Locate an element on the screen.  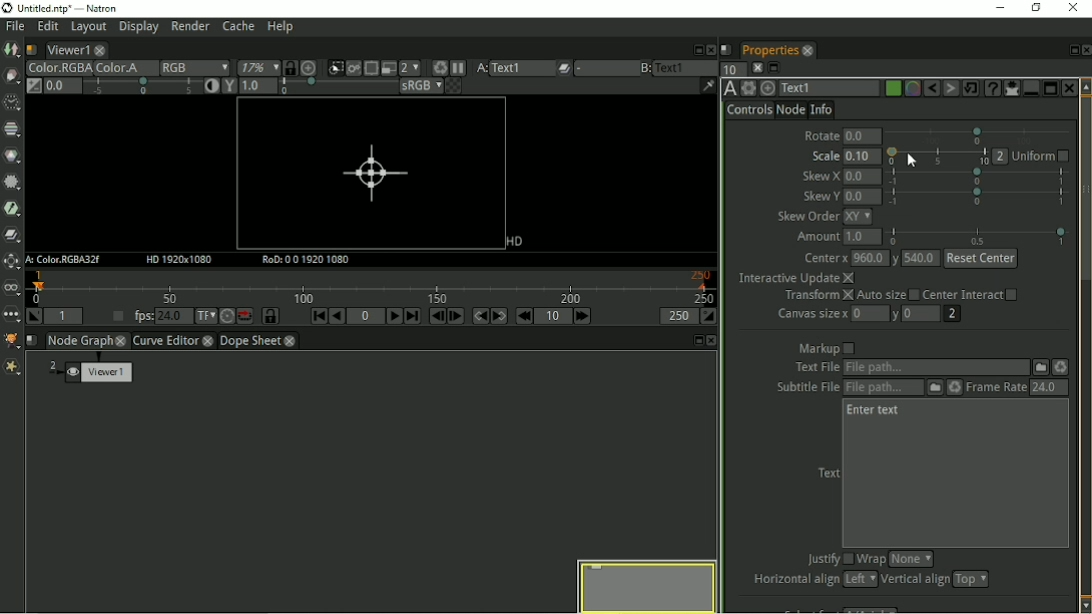
Redo is located at coordinates (950, 89).